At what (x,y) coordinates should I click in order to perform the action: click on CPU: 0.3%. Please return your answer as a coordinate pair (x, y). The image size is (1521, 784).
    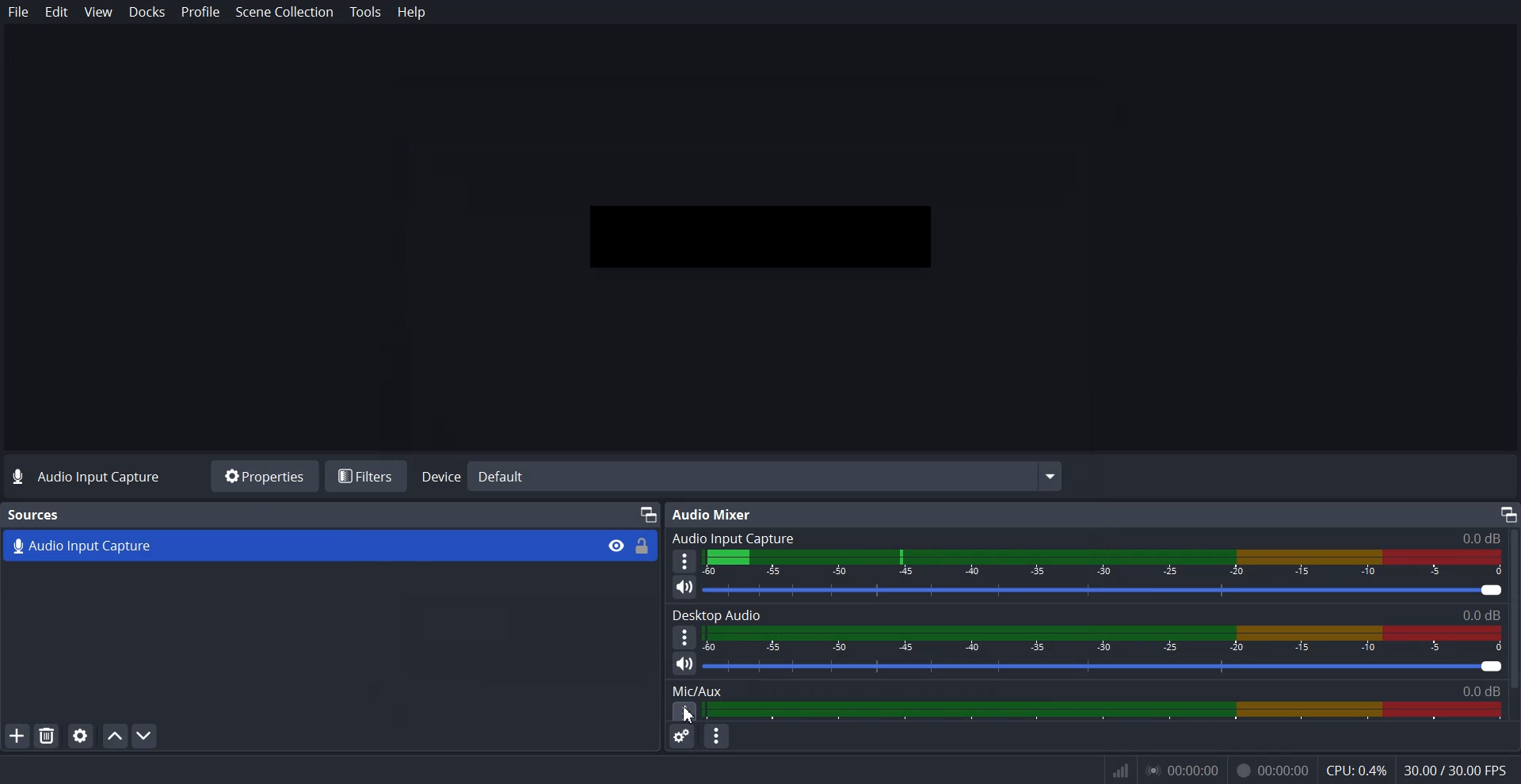
    Looking at the image, I should click on (1355, 772).